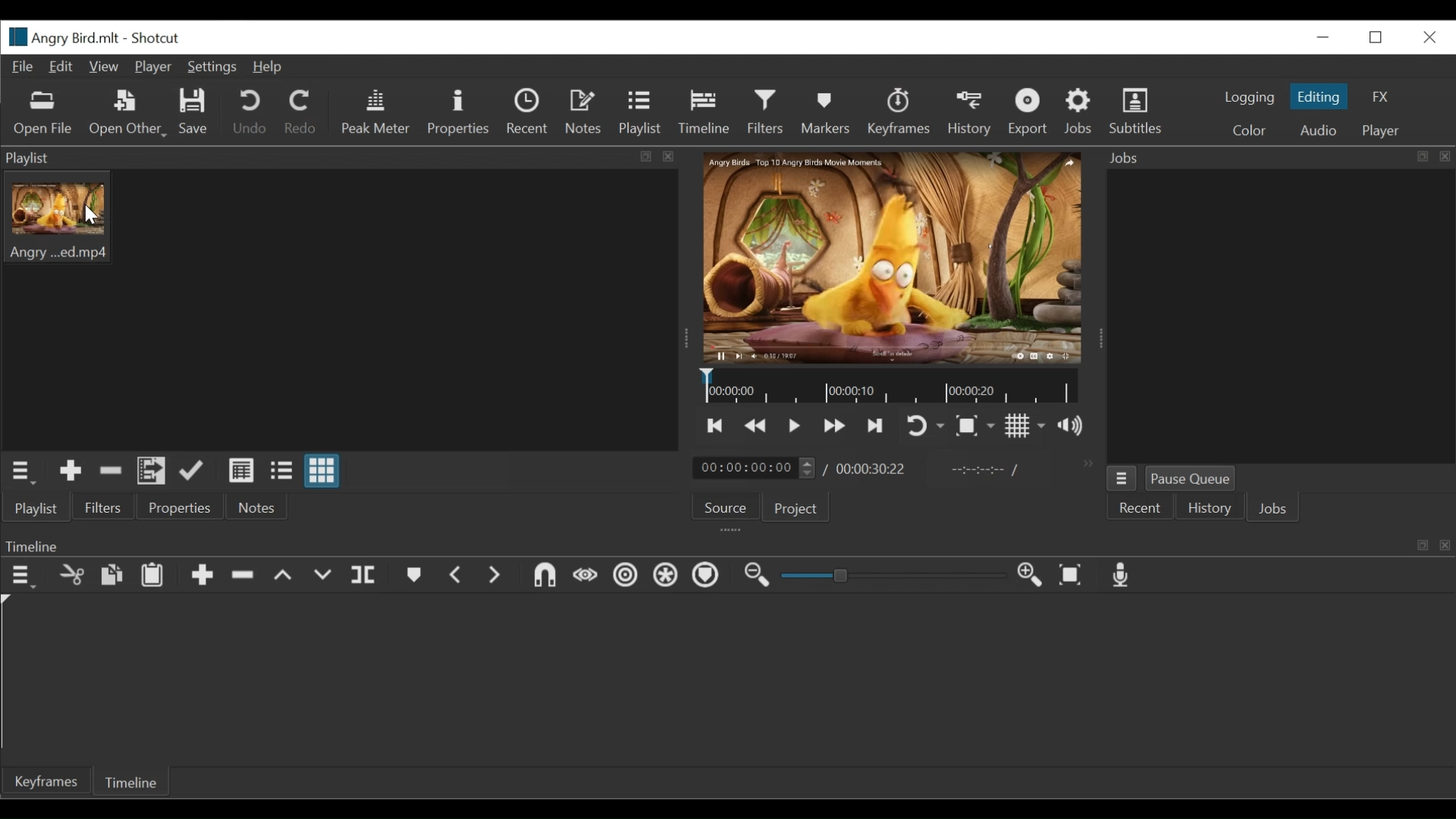 Image resolution: width=1456 pixels, height=819 pixels. I want to click on Playlist menu, so click(20, 472).